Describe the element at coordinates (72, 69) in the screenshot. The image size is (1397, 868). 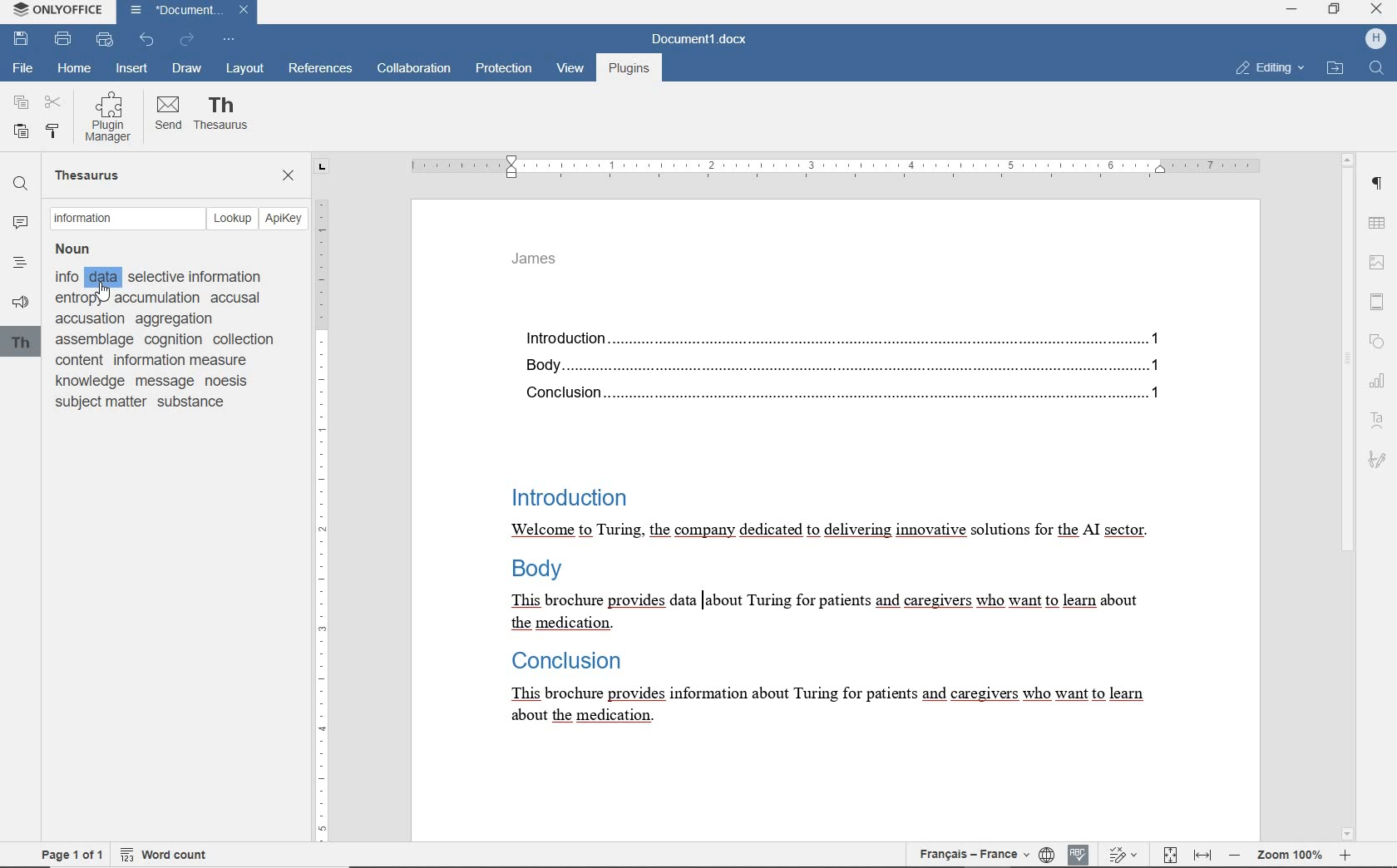
I see `HOME` at that location.